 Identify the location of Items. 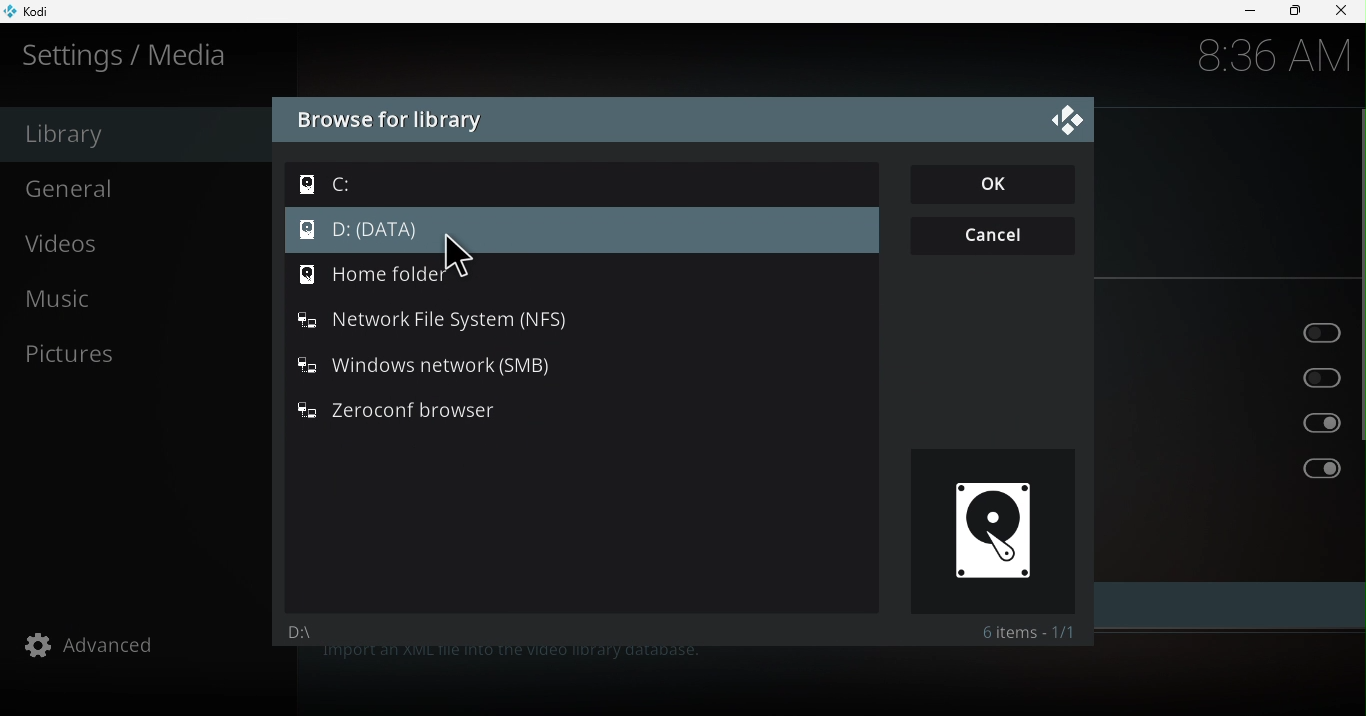
(1036, 625).